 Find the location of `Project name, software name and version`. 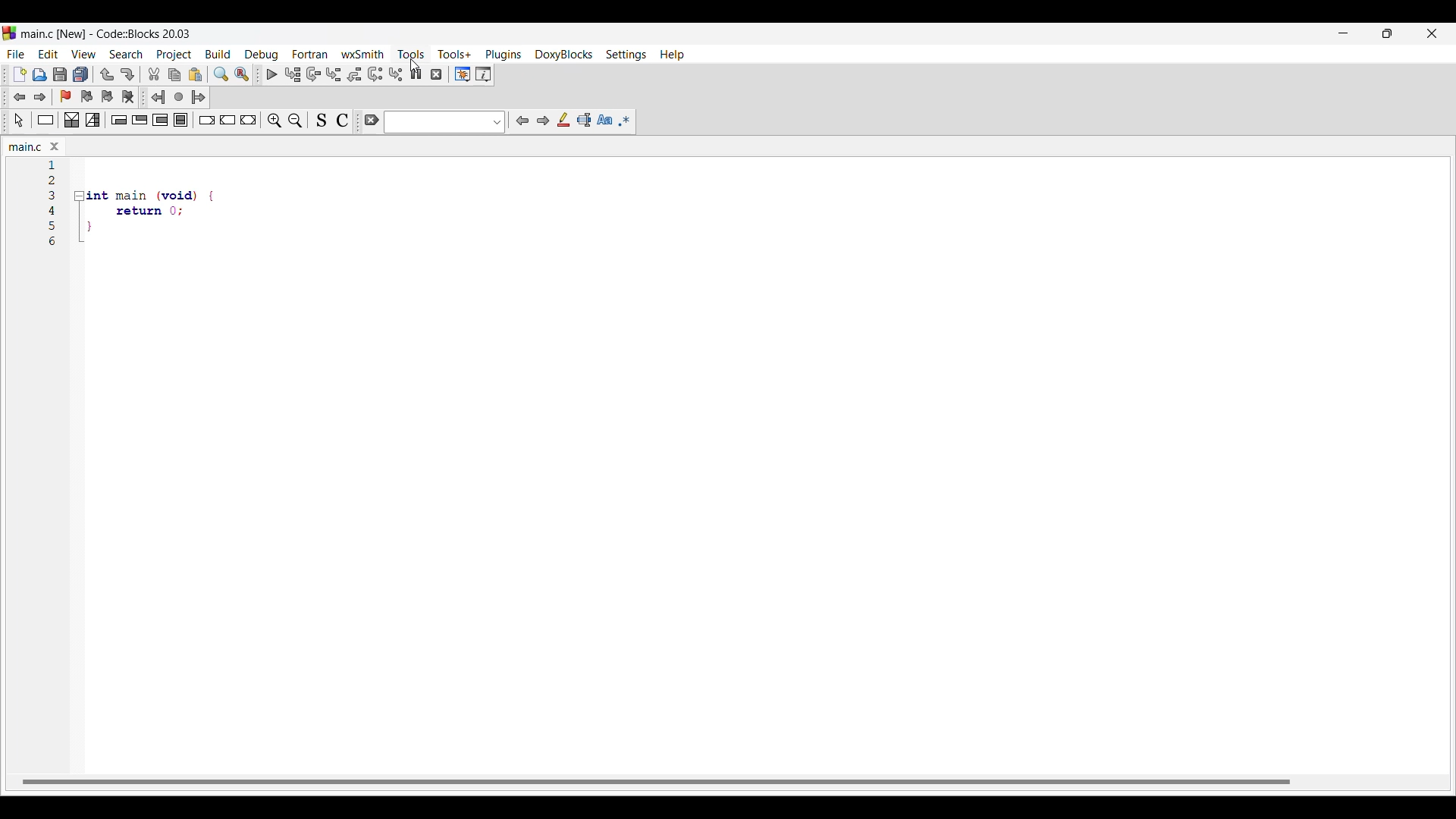

Project name, software name and version is located at coordinates (108, 34).